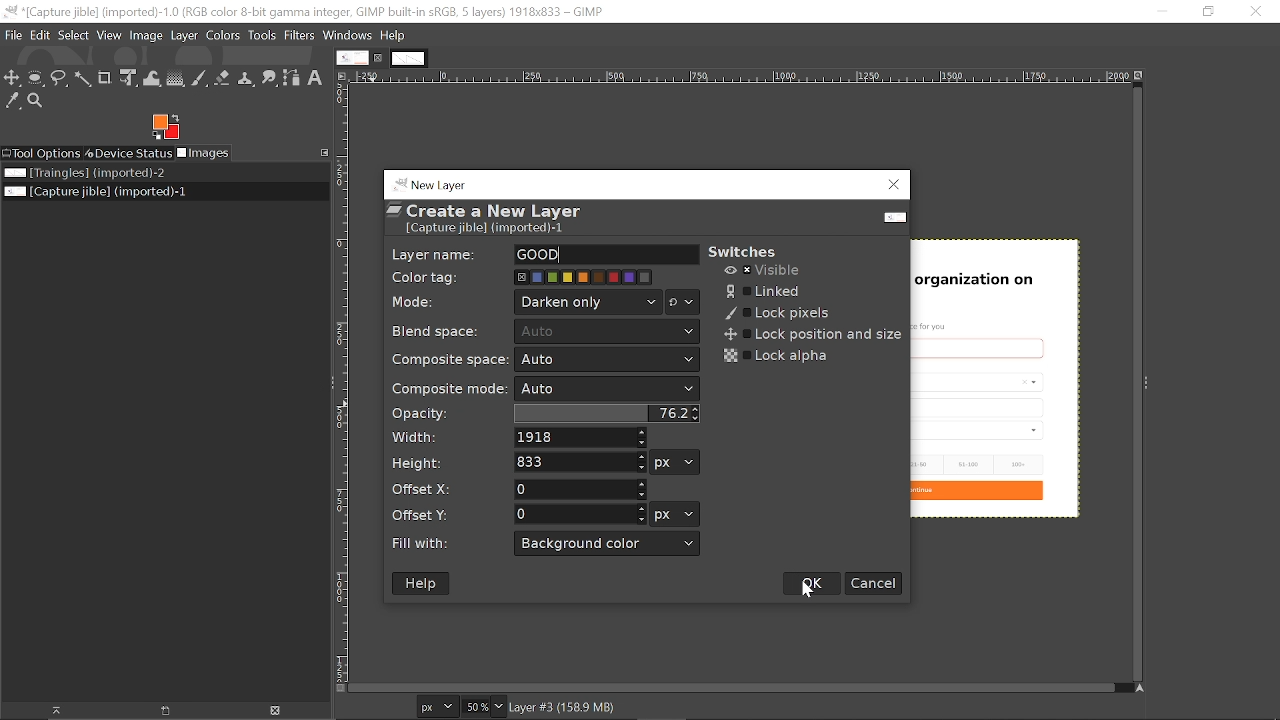 The image size is (1280, 720). I want to click on Current image, so click(1006, 372).